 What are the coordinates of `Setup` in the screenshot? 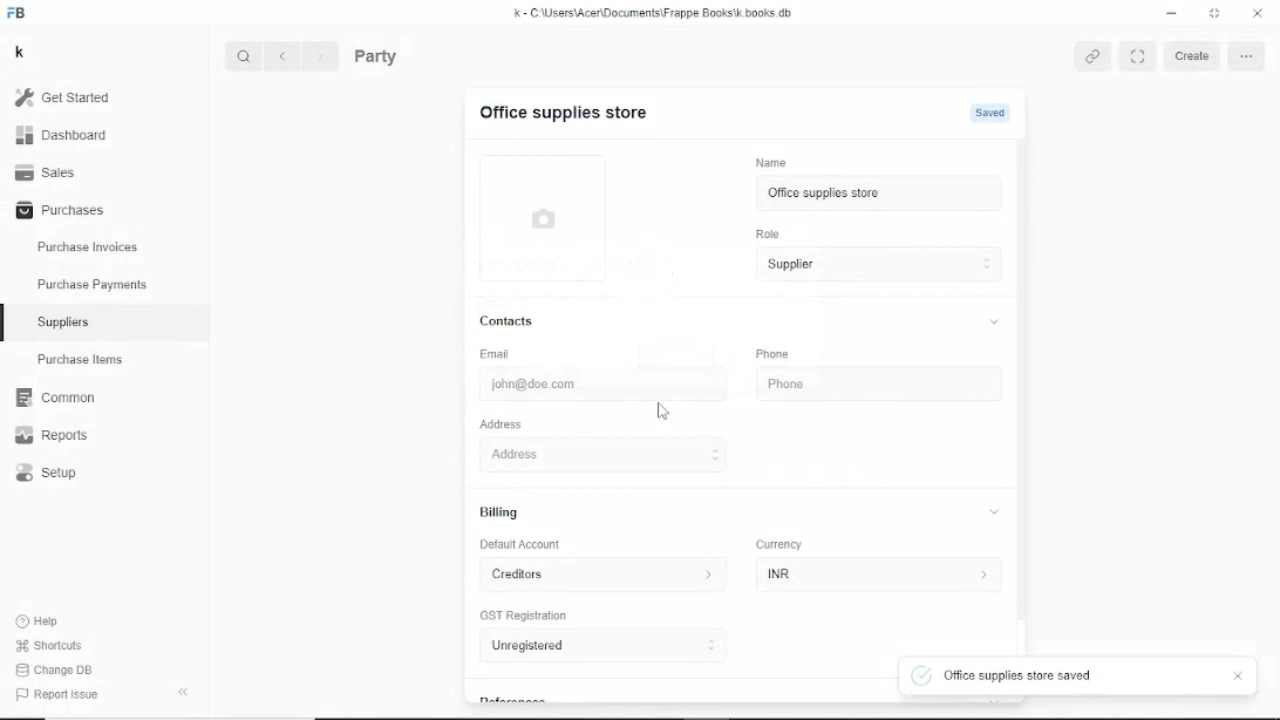 It's located at (46, 473).